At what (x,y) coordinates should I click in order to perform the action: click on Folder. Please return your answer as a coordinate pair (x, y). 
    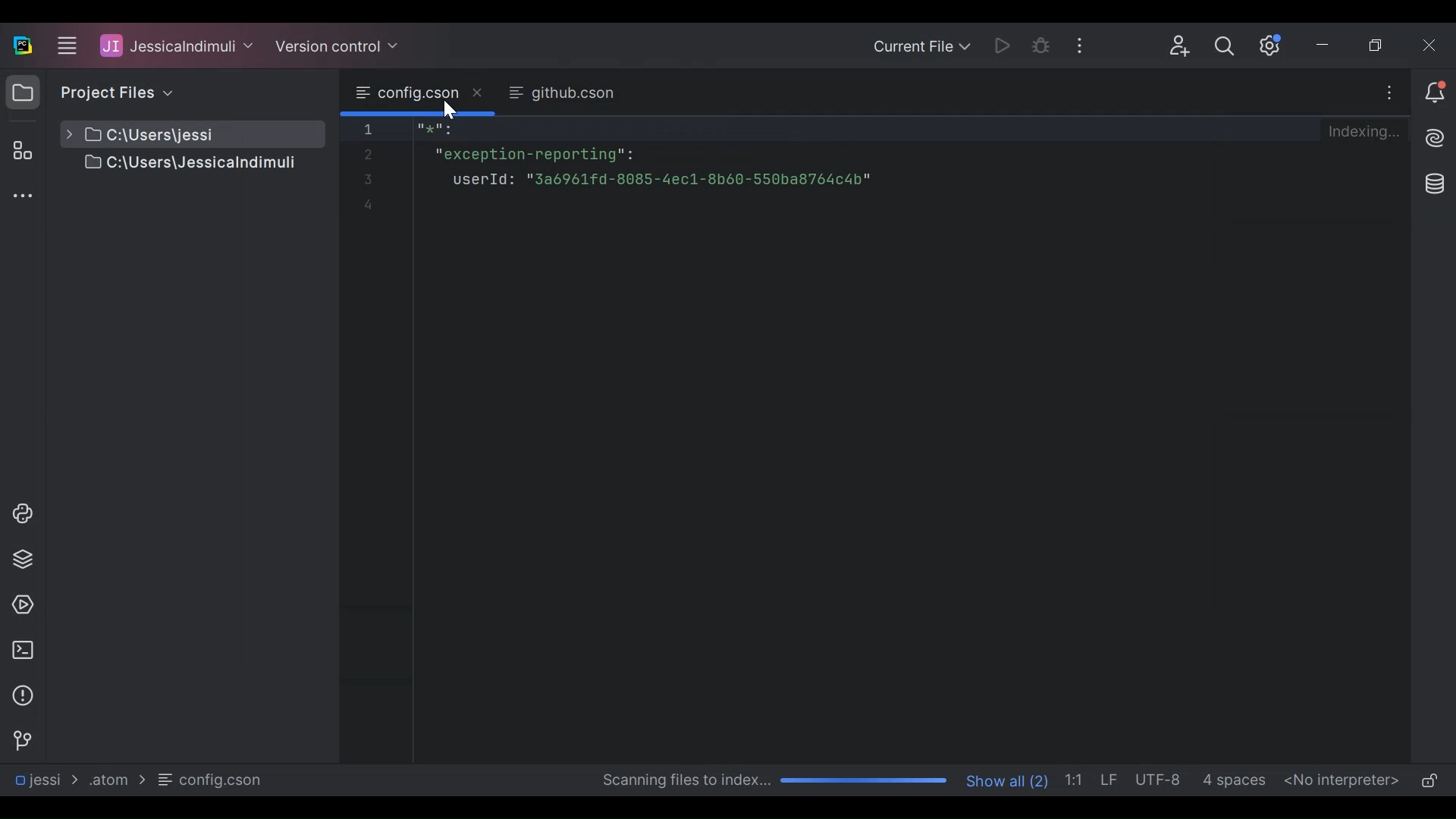
    Looking at the image, I should click on (115, 779).